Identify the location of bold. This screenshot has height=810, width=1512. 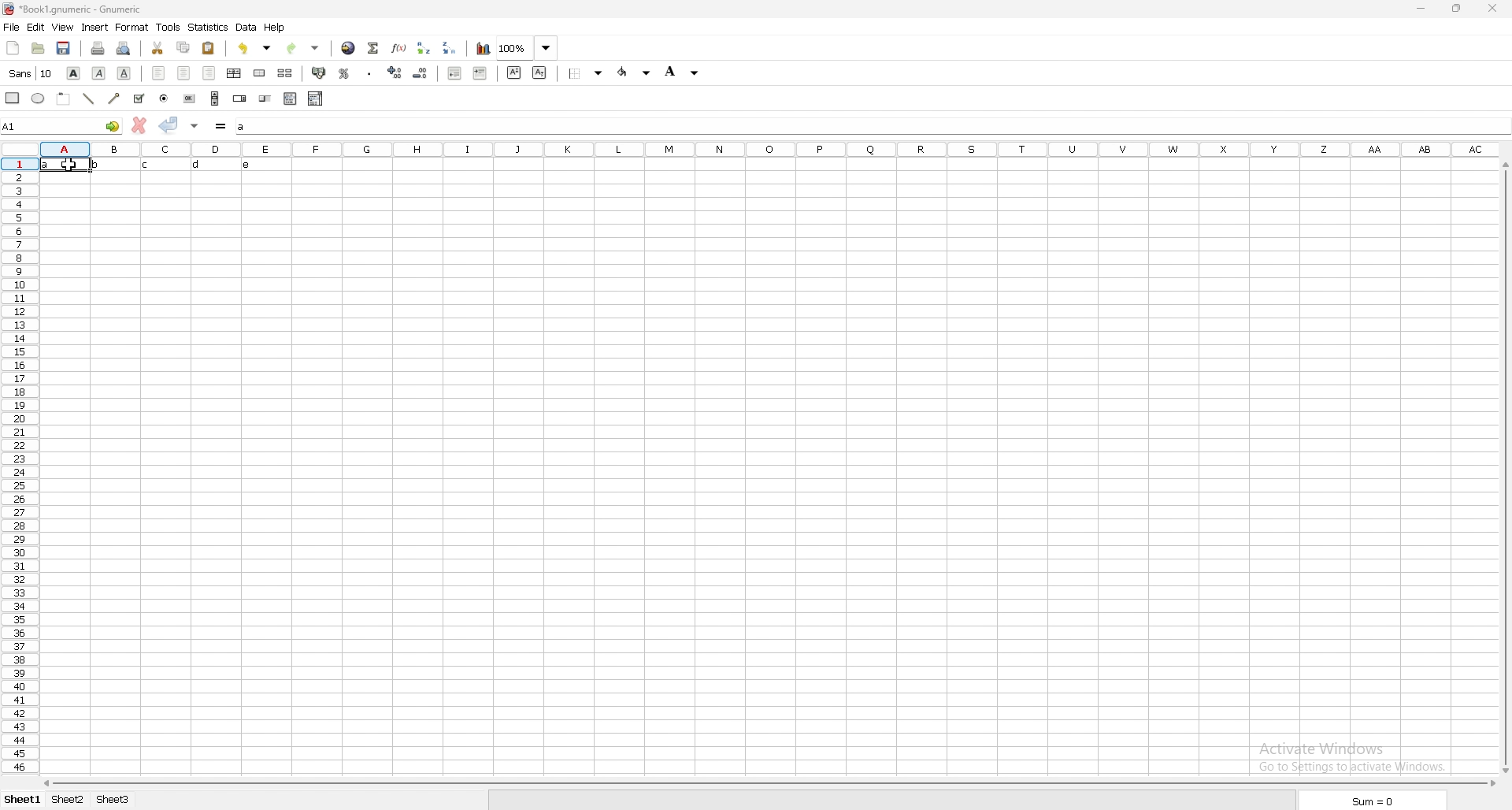
(75, 73).